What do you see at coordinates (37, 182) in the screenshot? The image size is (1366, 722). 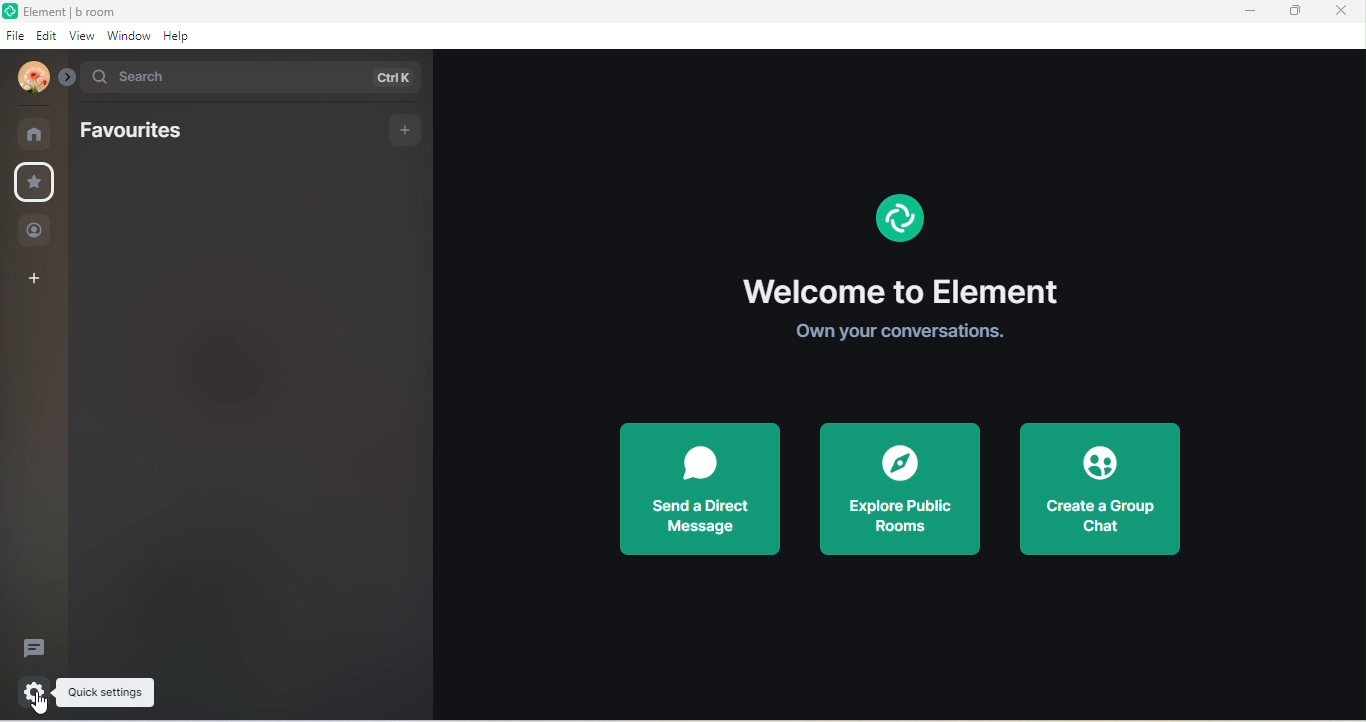 I see `favourites` at bounding box center [37, 182].